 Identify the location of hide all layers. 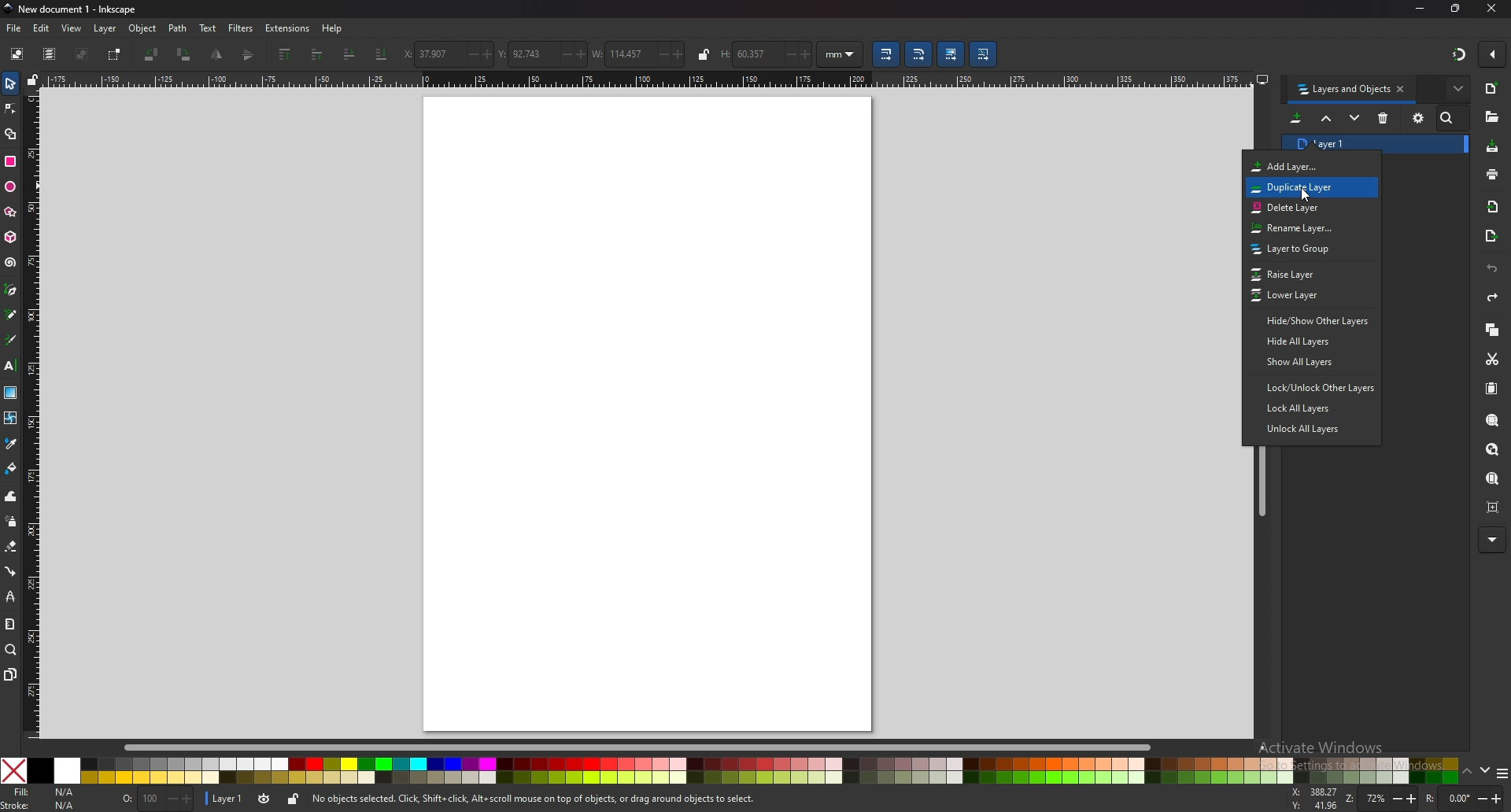
(1305, 341).